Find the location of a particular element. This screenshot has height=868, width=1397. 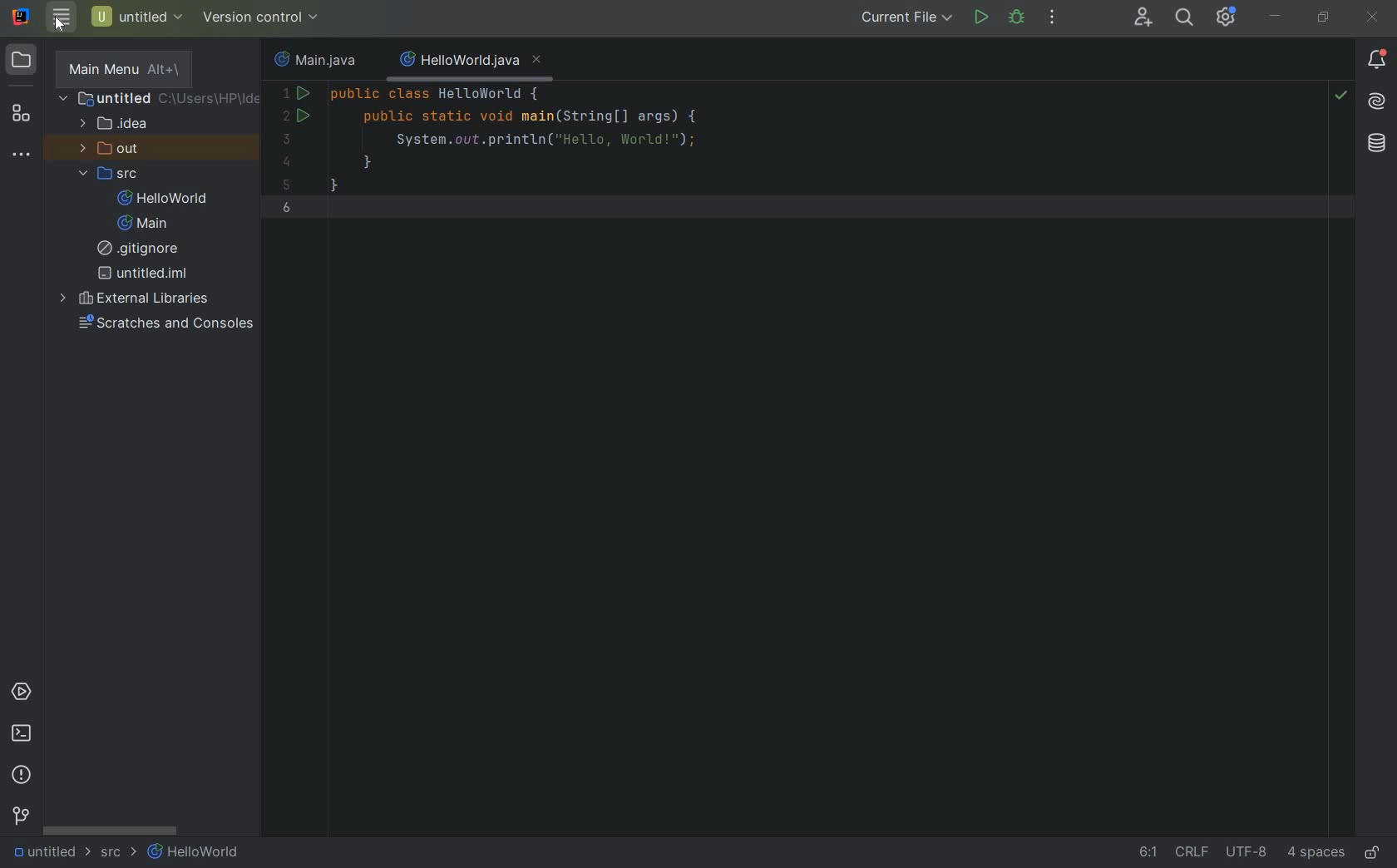

PROBLEMS is located at coordinates (22, 774).